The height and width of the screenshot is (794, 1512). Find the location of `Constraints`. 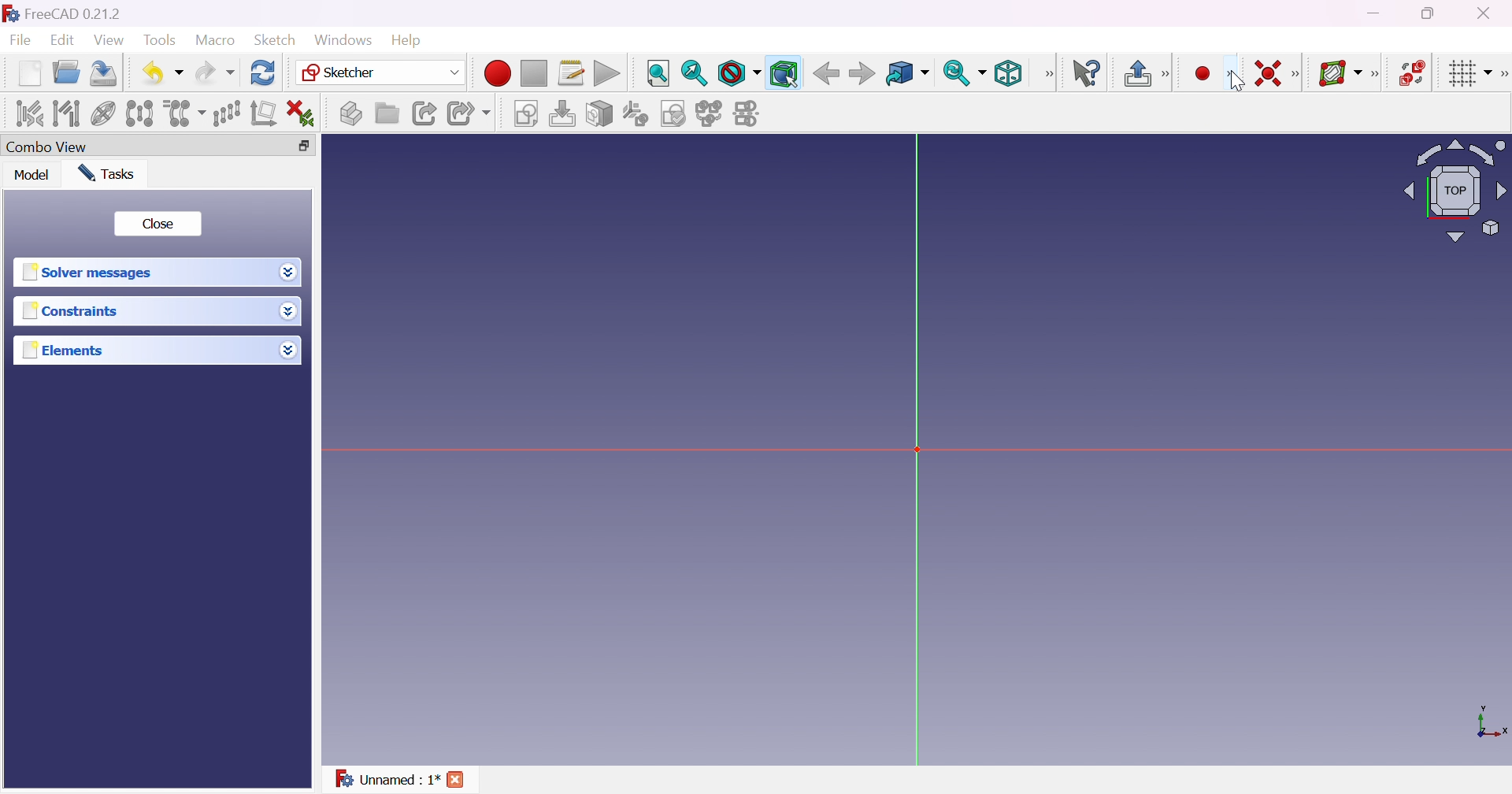

Constraints is located at coordinates (72, 310).